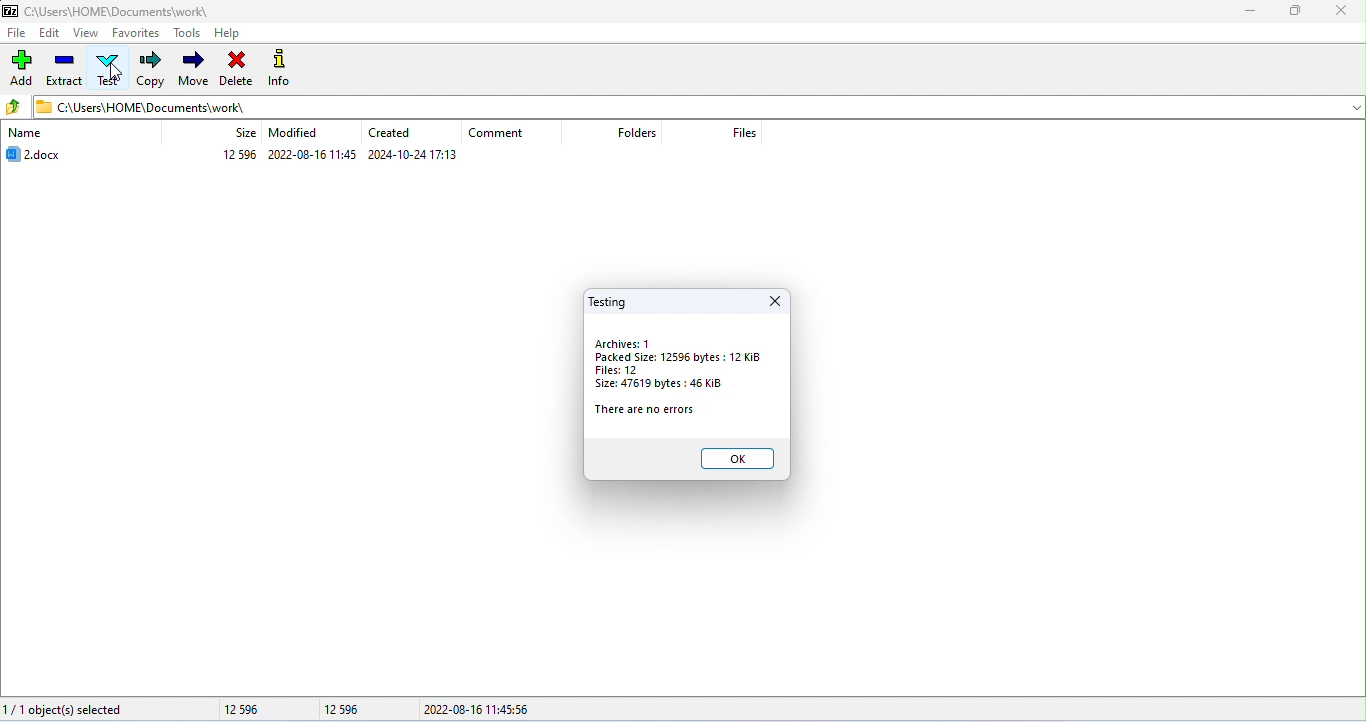 This screenshot has width=1366, height=722. I want to click on close, so click(774, 302).